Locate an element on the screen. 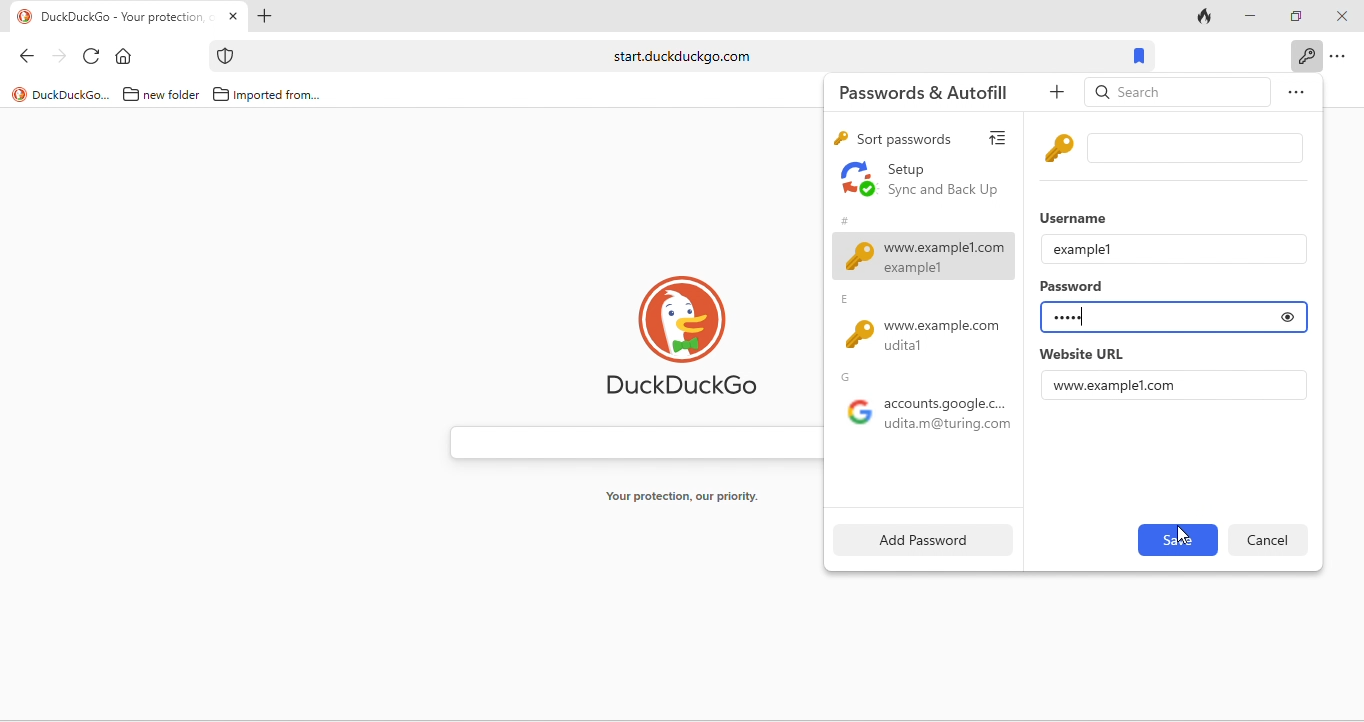 The image size is (1364, 722). new folder is located at coordinates (173, 96).